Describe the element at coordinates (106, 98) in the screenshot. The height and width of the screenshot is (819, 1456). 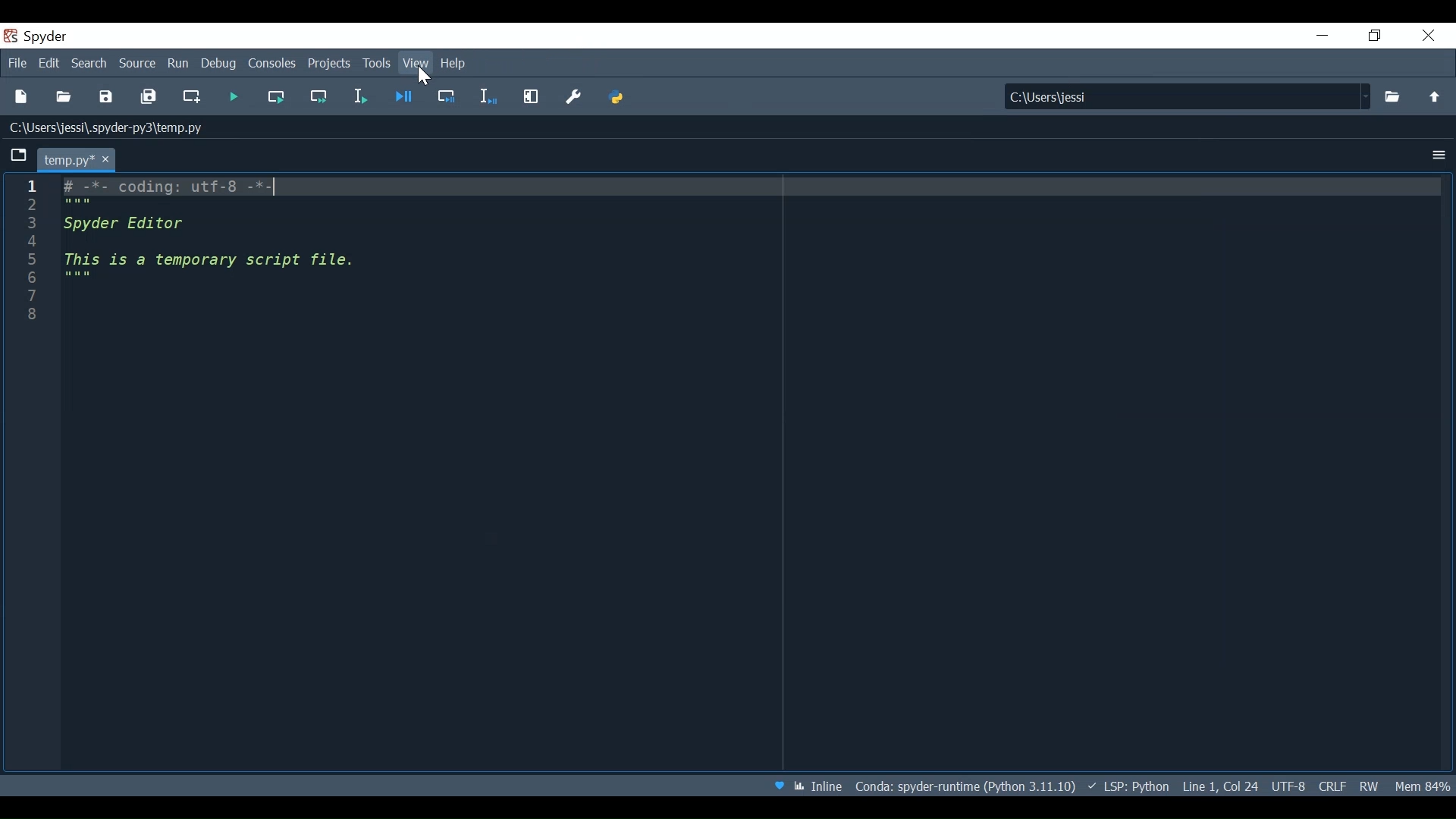
I see `Save File` at that location.